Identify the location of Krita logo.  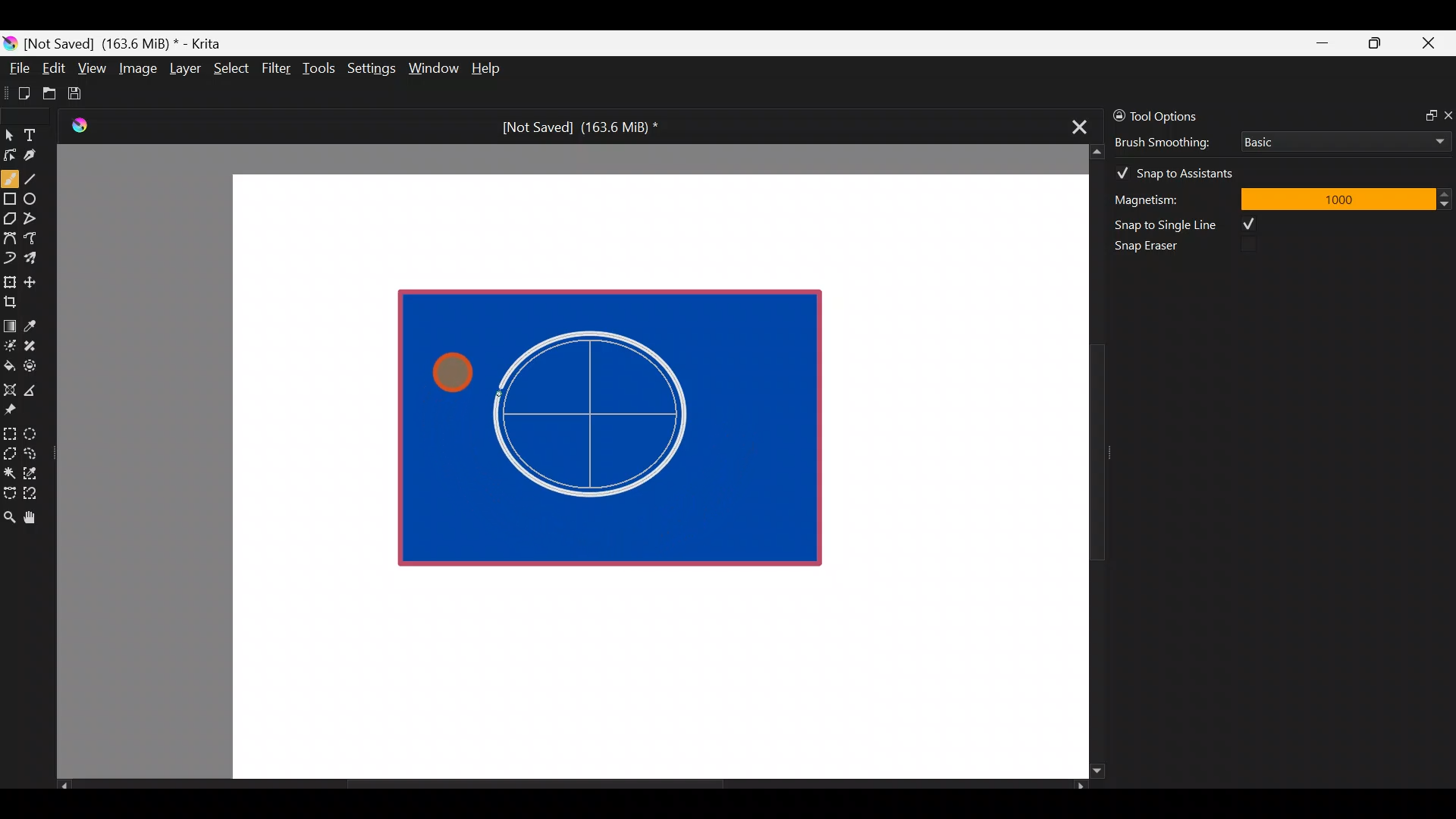
(10, 42).